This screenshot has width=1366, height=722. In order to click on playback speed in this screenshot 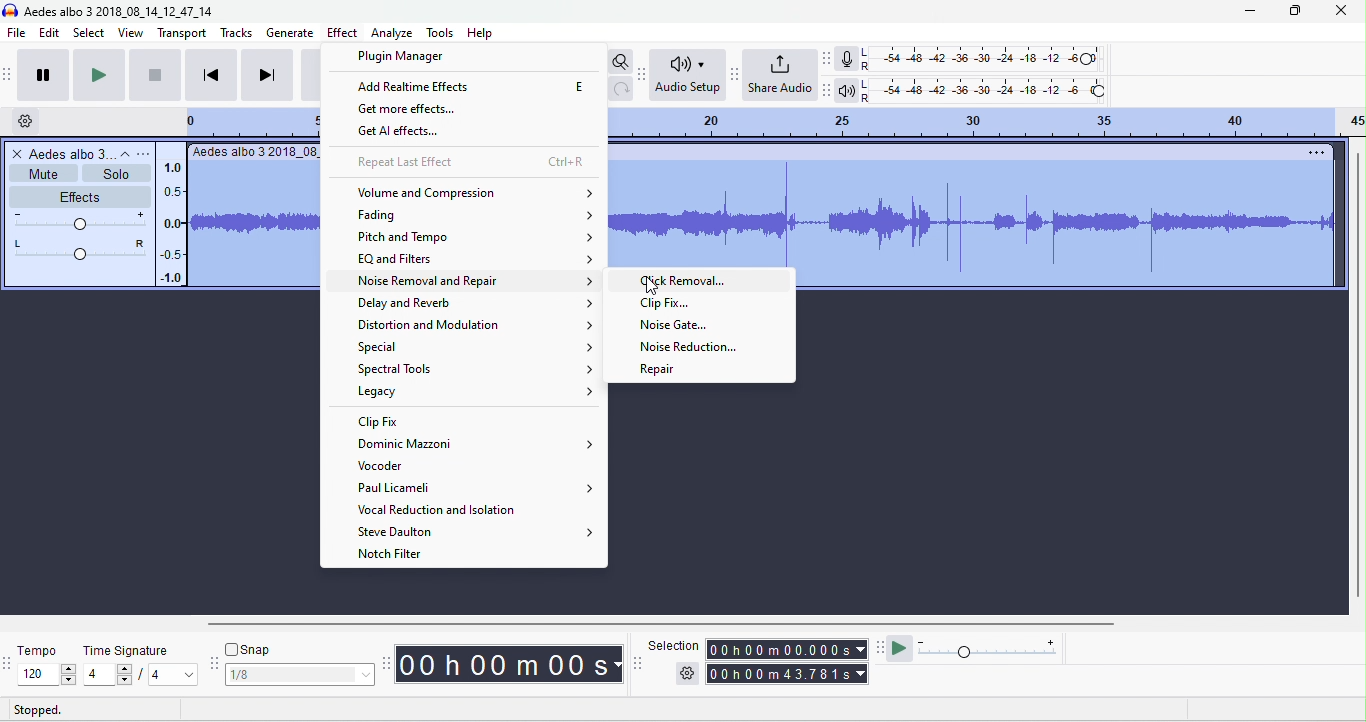, I will do `click(991, 649)`.